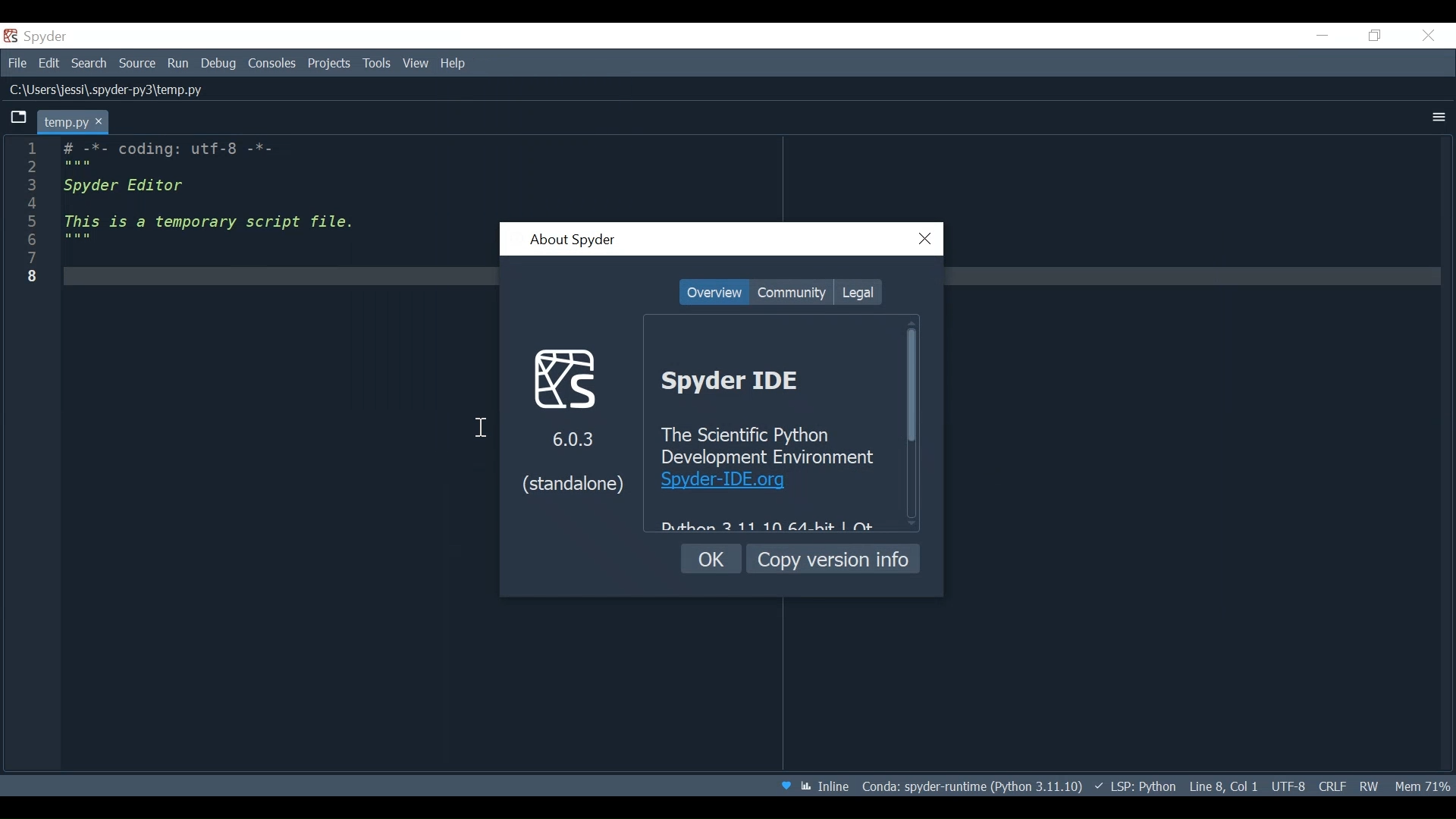 This screenshot has width=1456, height=819. Describe the element at coordinates (49, 64) in the screenshot. I see `Edit` at that location.